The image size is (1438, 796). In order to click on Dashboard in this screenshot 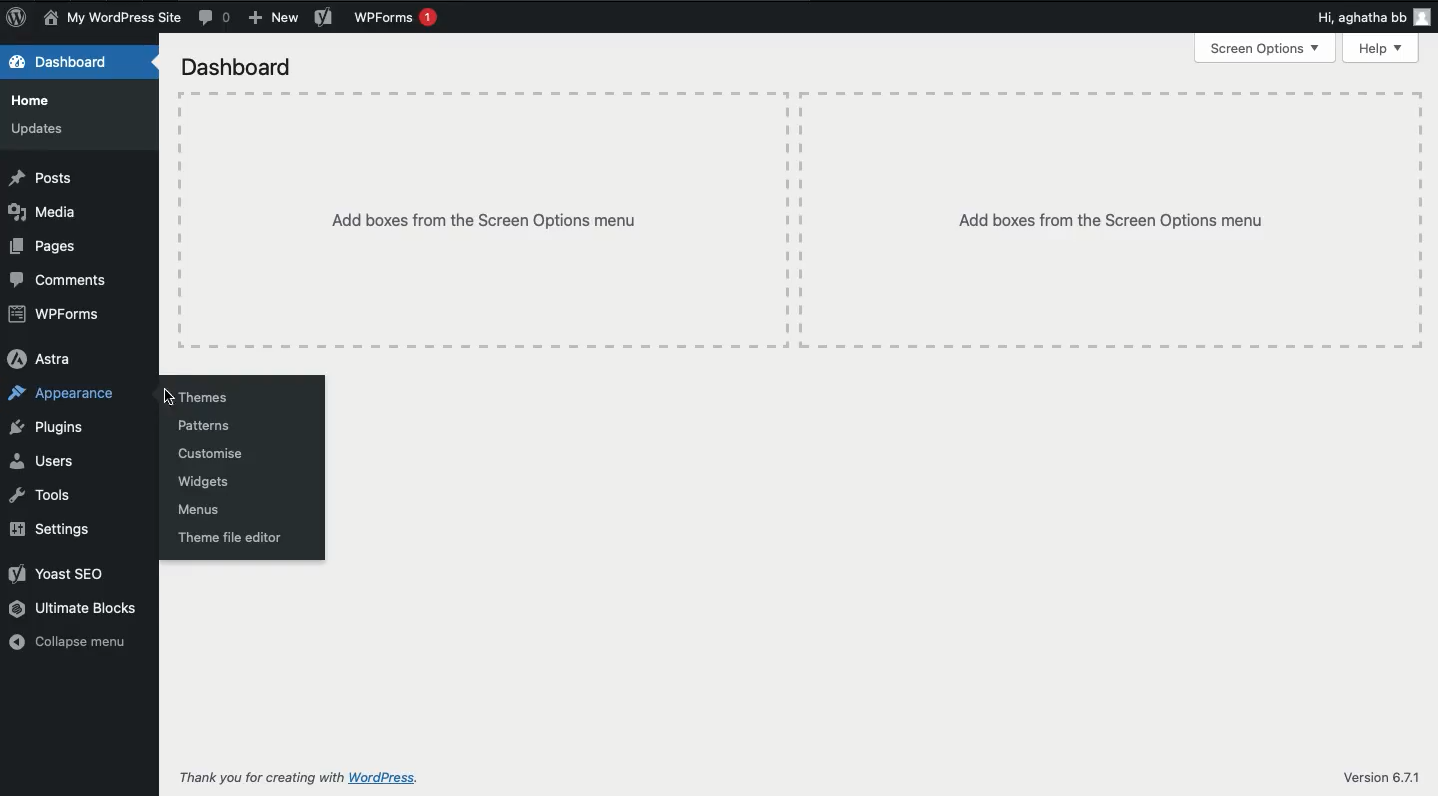, I will do `click(62, 62)`.